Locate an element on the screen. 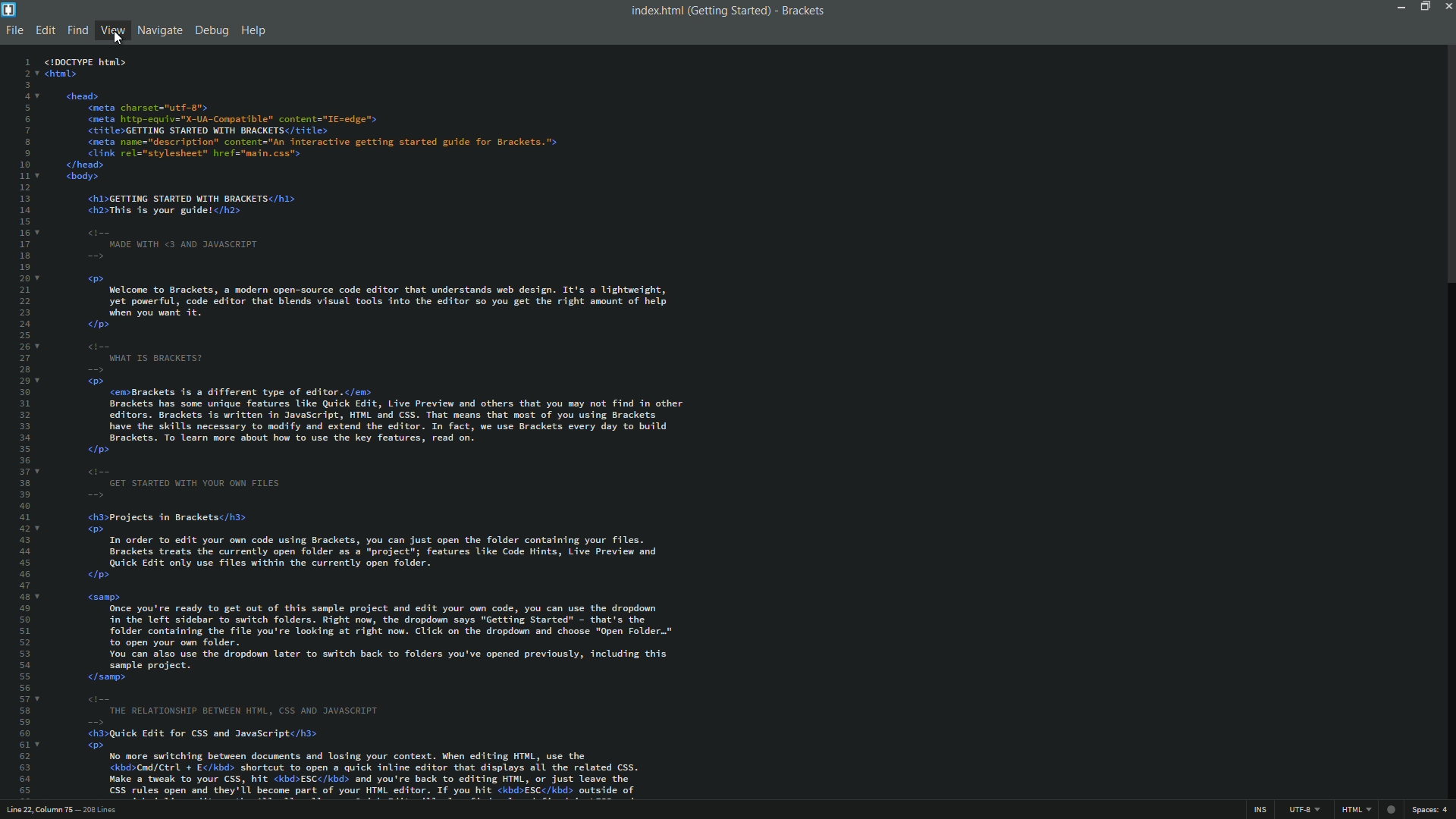  edit is located at coordinates (45, 30).